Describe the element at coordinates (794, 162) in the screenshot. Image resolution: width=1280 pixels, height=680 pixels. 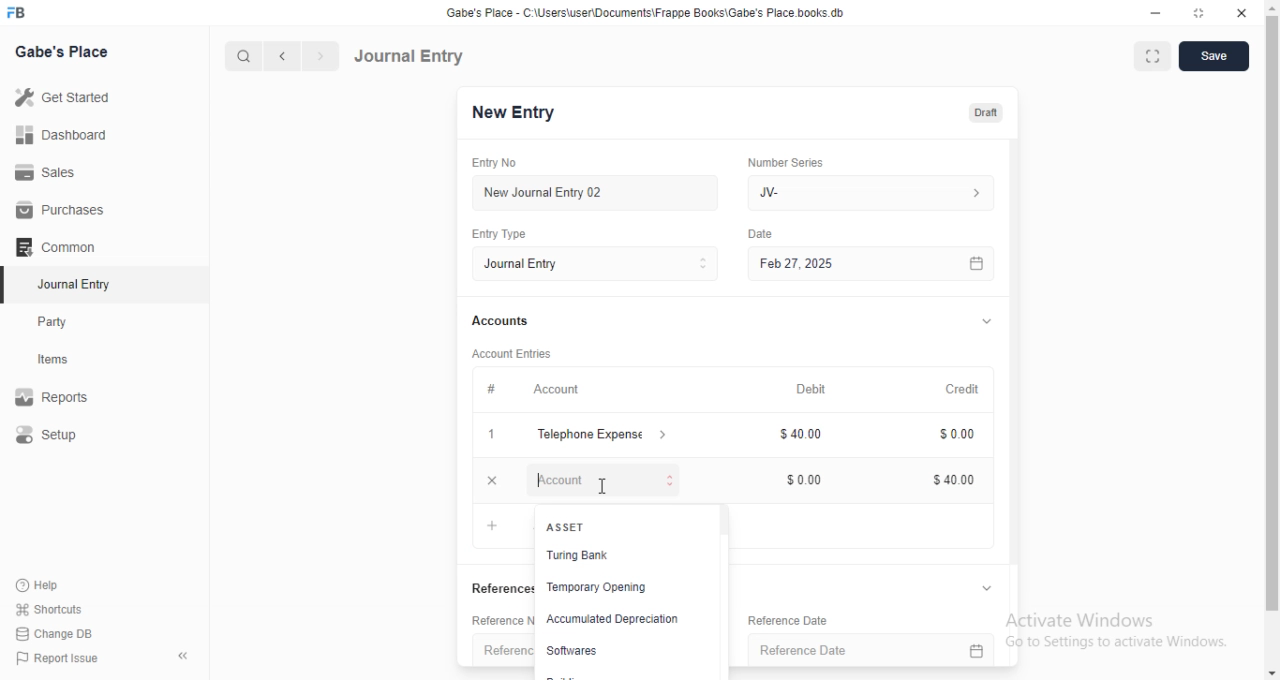
I see `‘Number Series` at that location.